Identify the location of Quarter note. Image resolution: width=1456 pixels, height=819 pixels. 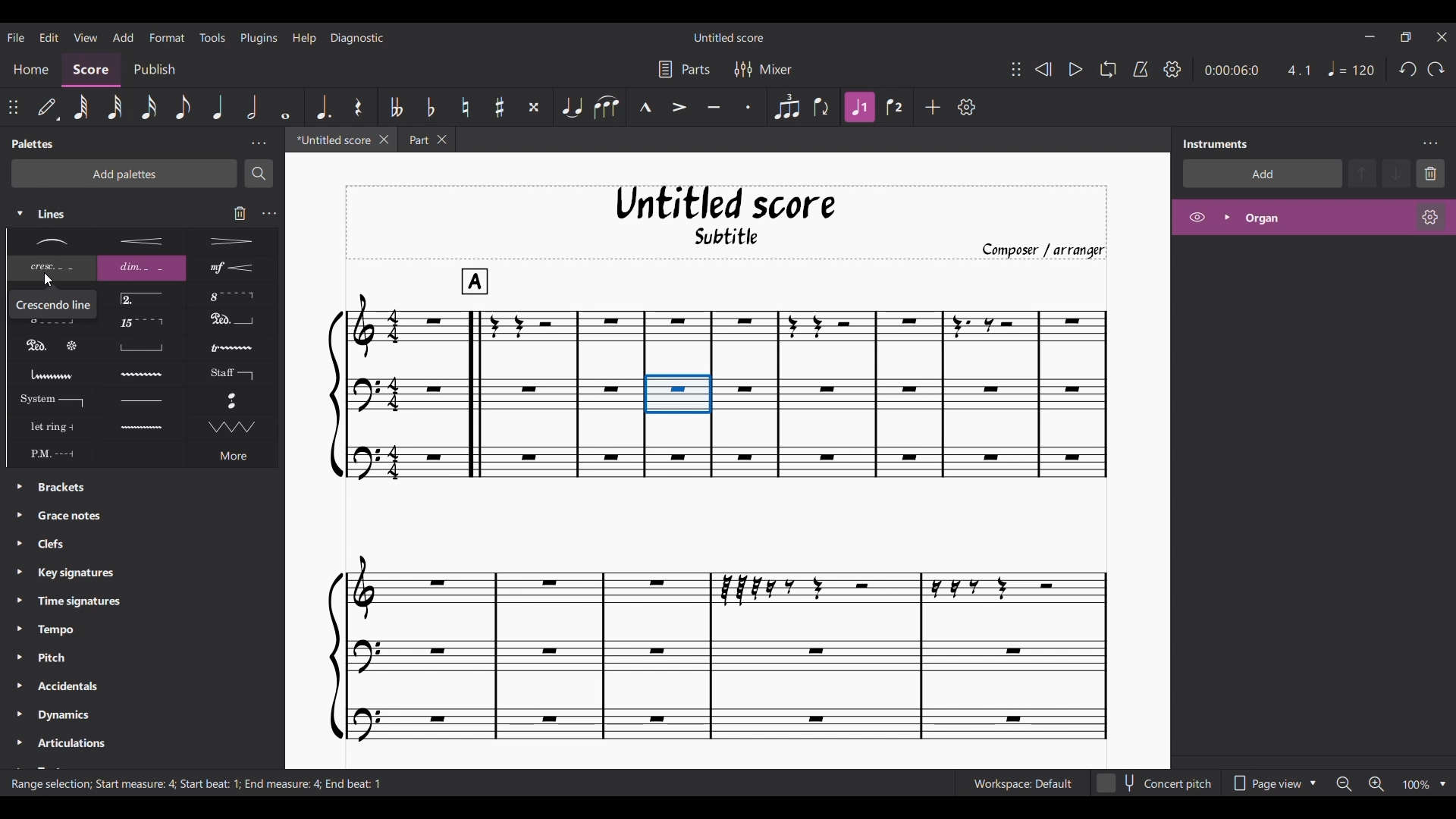
(1352, 69).